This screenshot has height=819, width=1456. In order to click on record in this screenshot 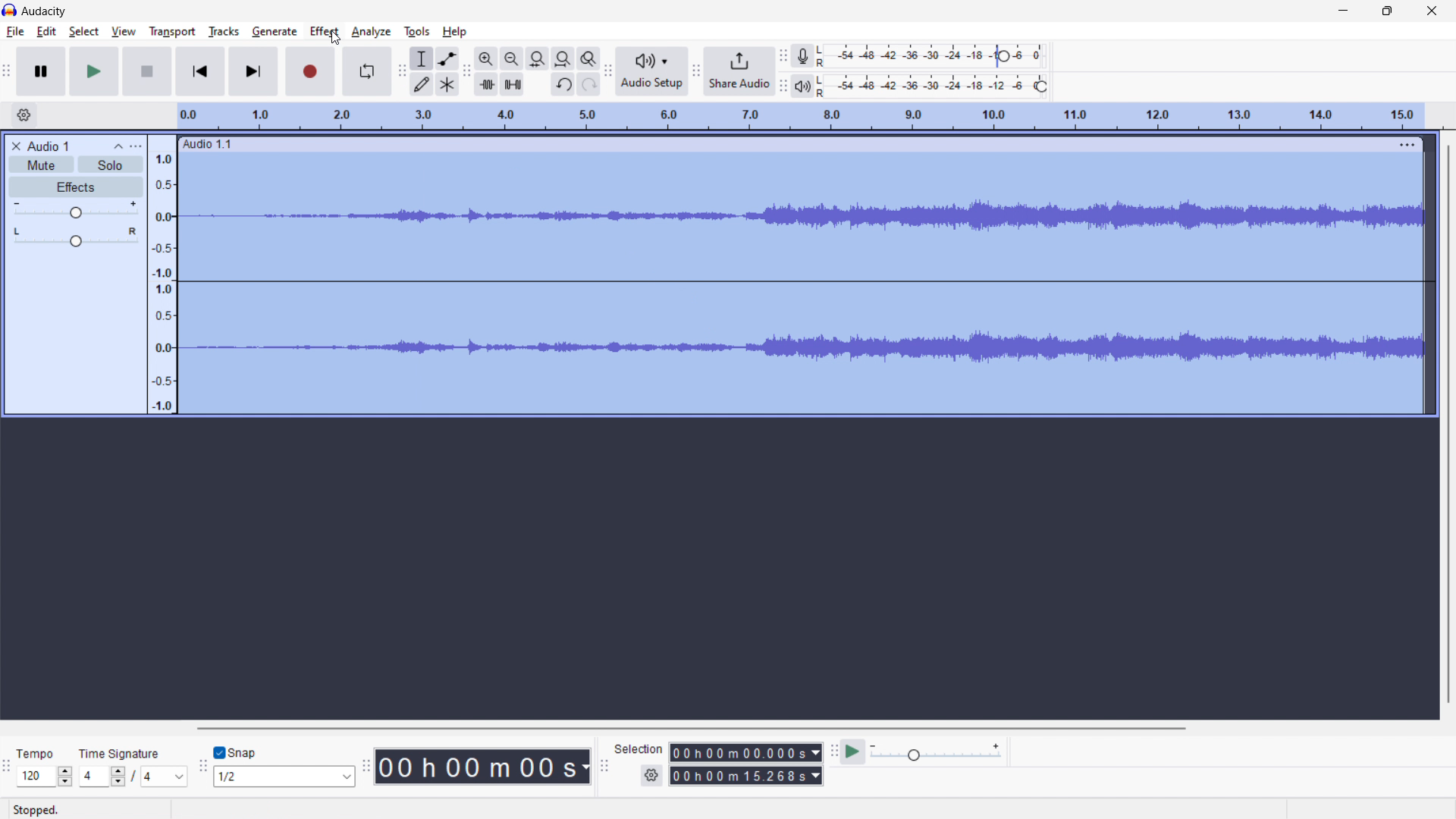, I will do `click(309, 71)`.